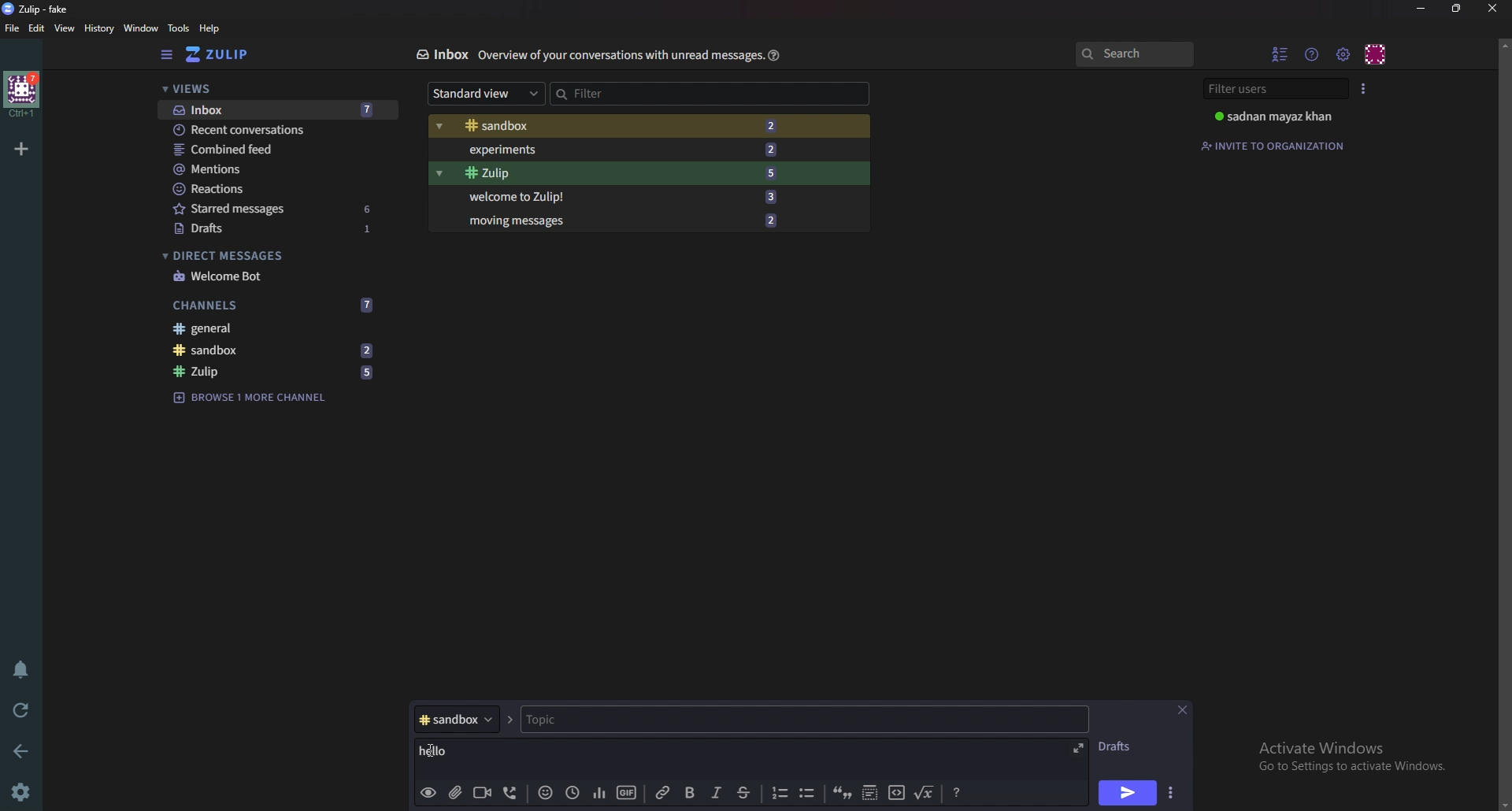 This screenshot has height=811, width=1512. I want to click on 2 , so click(775, 125).